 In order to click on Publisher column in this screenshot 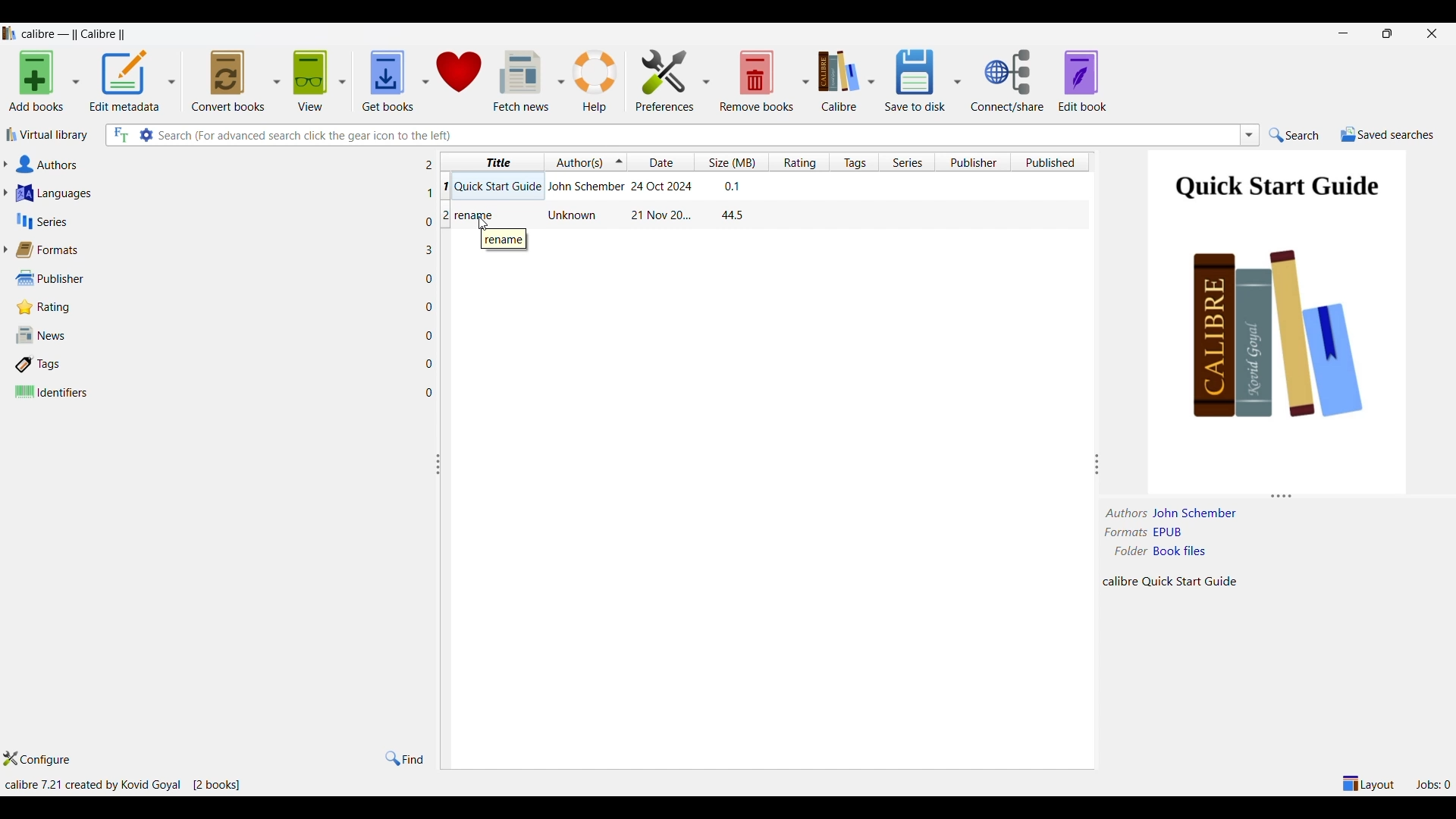, I will do `click(972, 162)`.